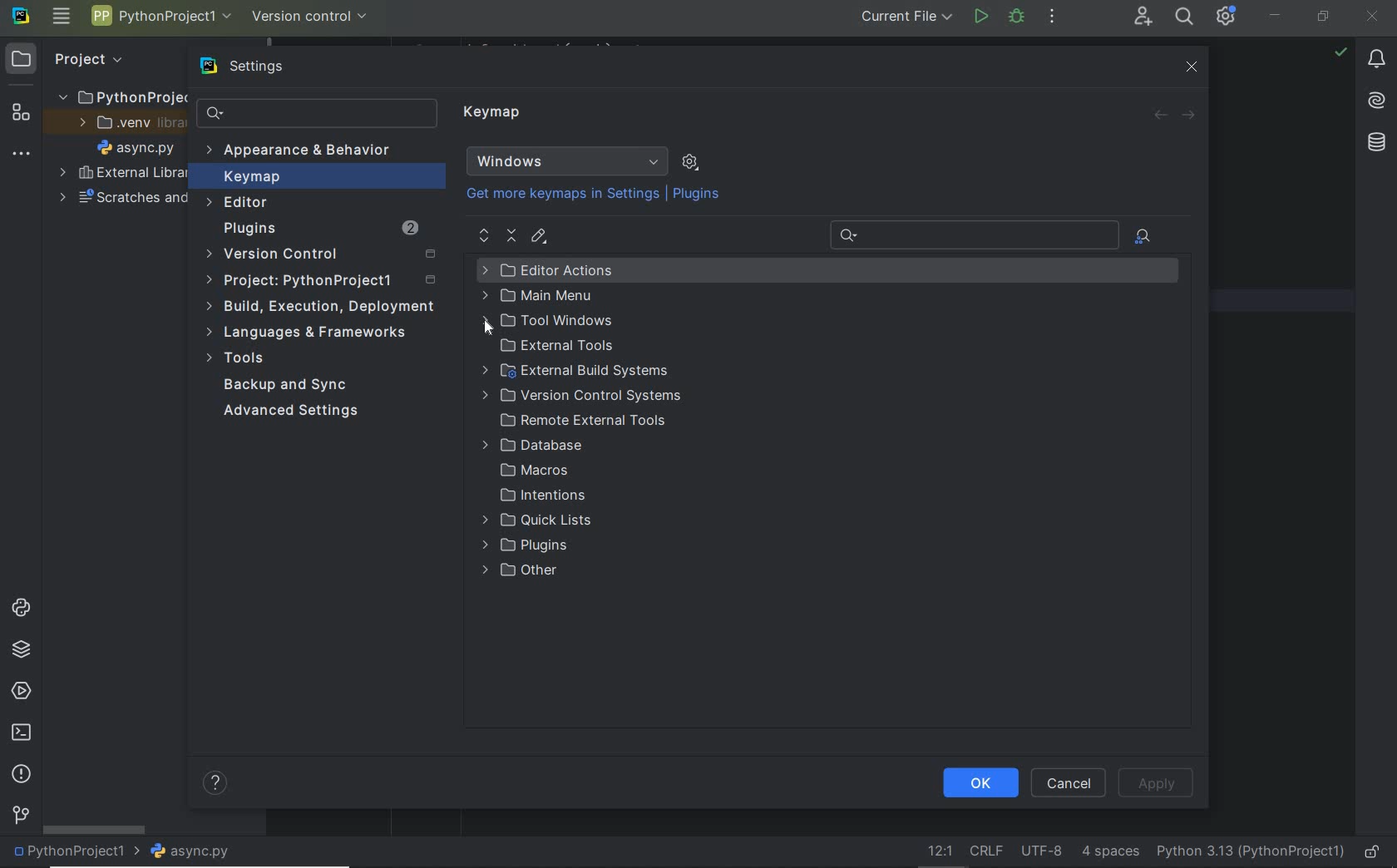 Image resolution: width=1397 pixels, height=868 pixels. What do you see at coordinates (1324, 17) in the screenshot?
I see `restore down` at bounding box center [1324, 17].